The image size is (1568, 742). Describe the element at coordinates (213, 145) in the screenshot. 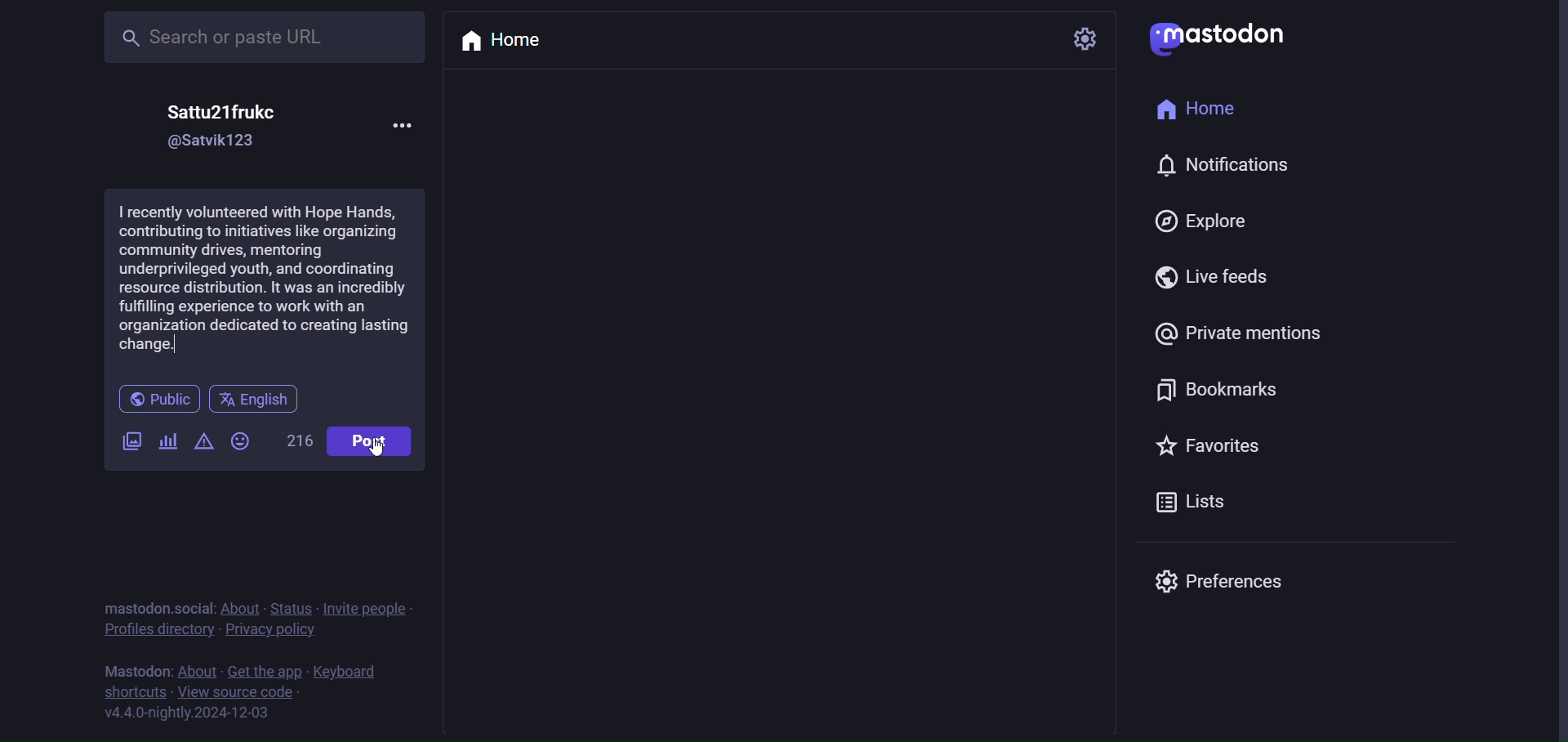

I see `id` at that location.